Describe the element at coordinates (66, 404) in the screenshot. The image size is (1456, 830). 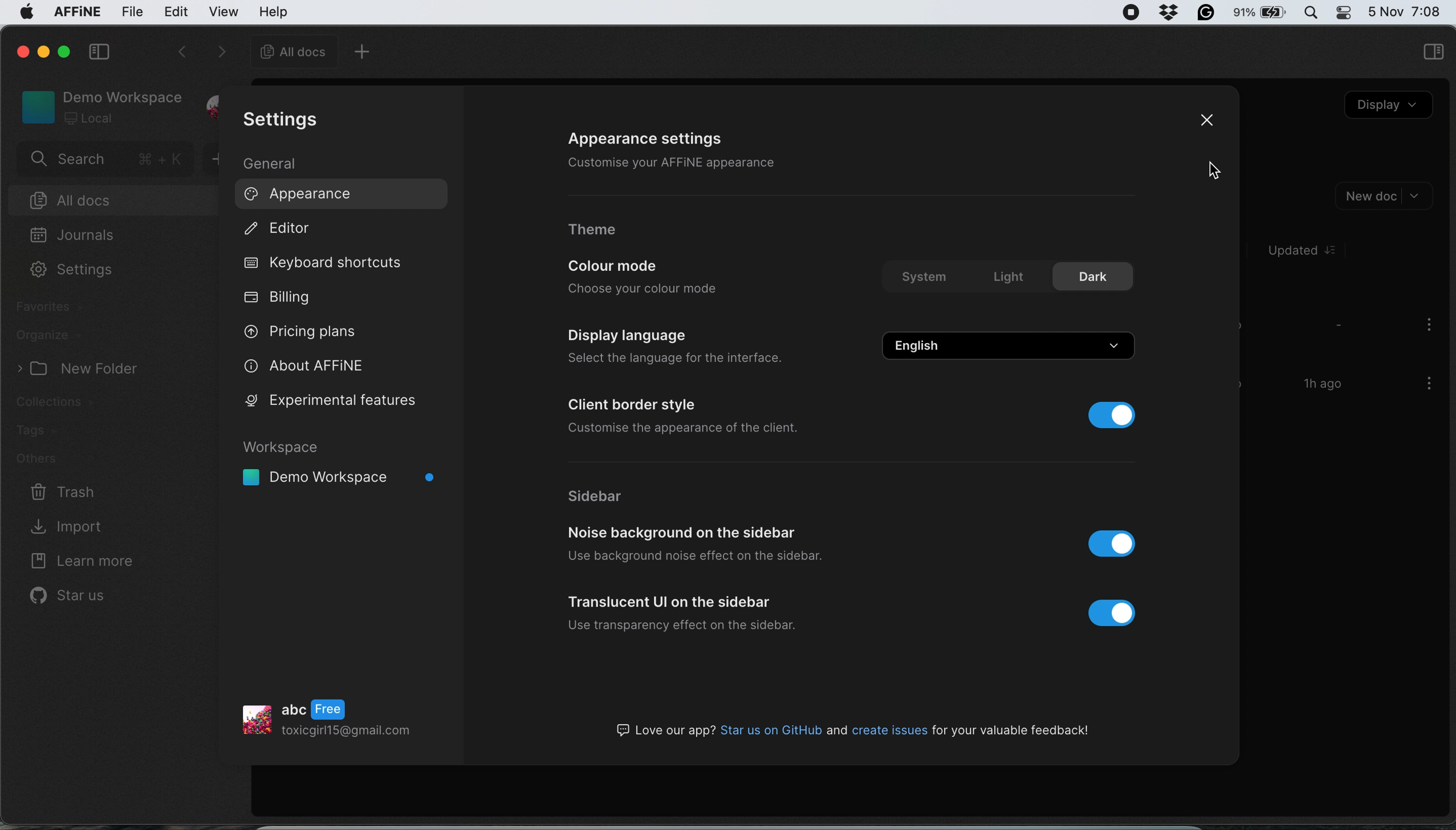
I see `collections` at that location.